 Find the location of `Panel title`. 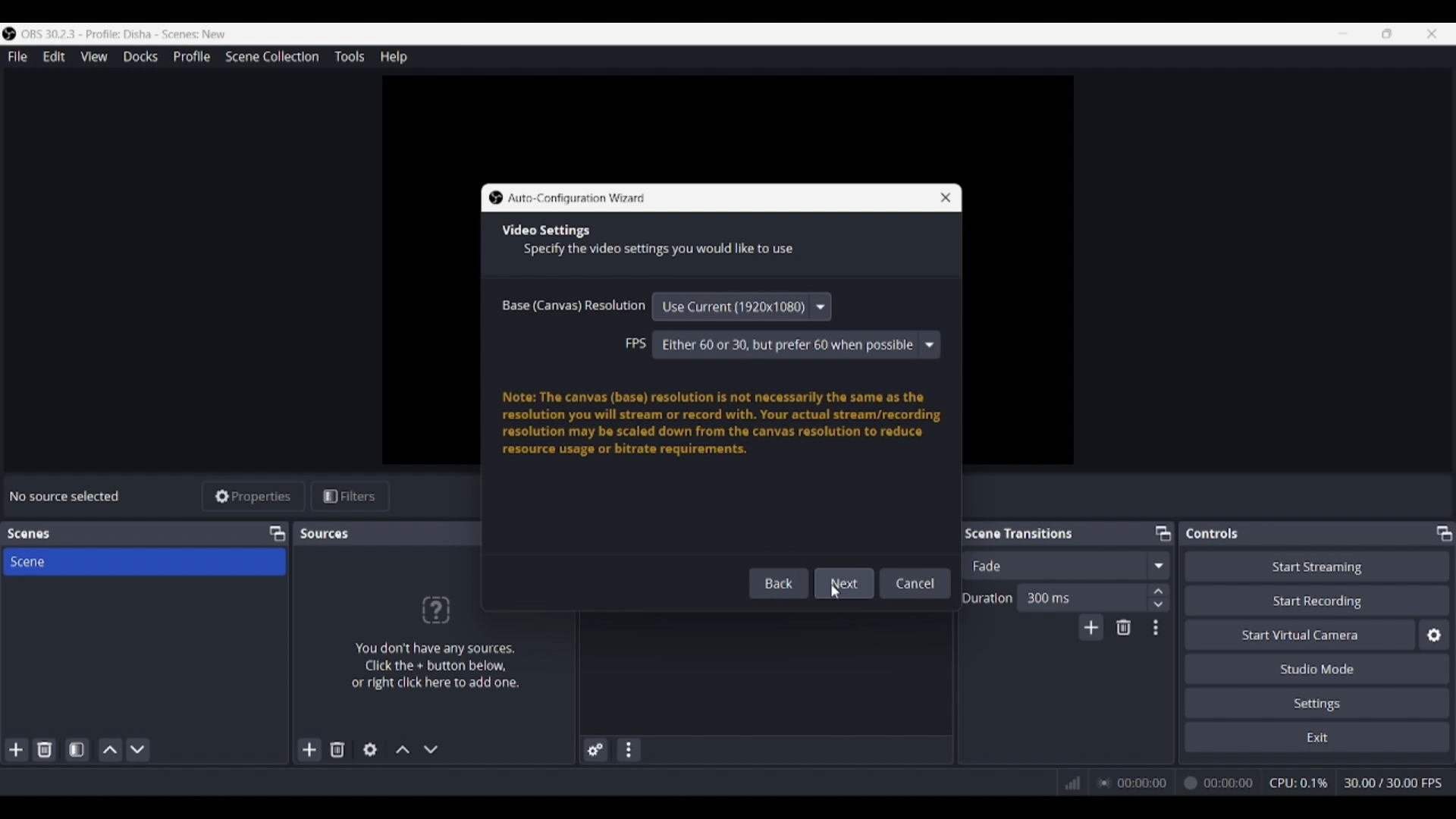

Panel title is located at coordinates (29, 534).